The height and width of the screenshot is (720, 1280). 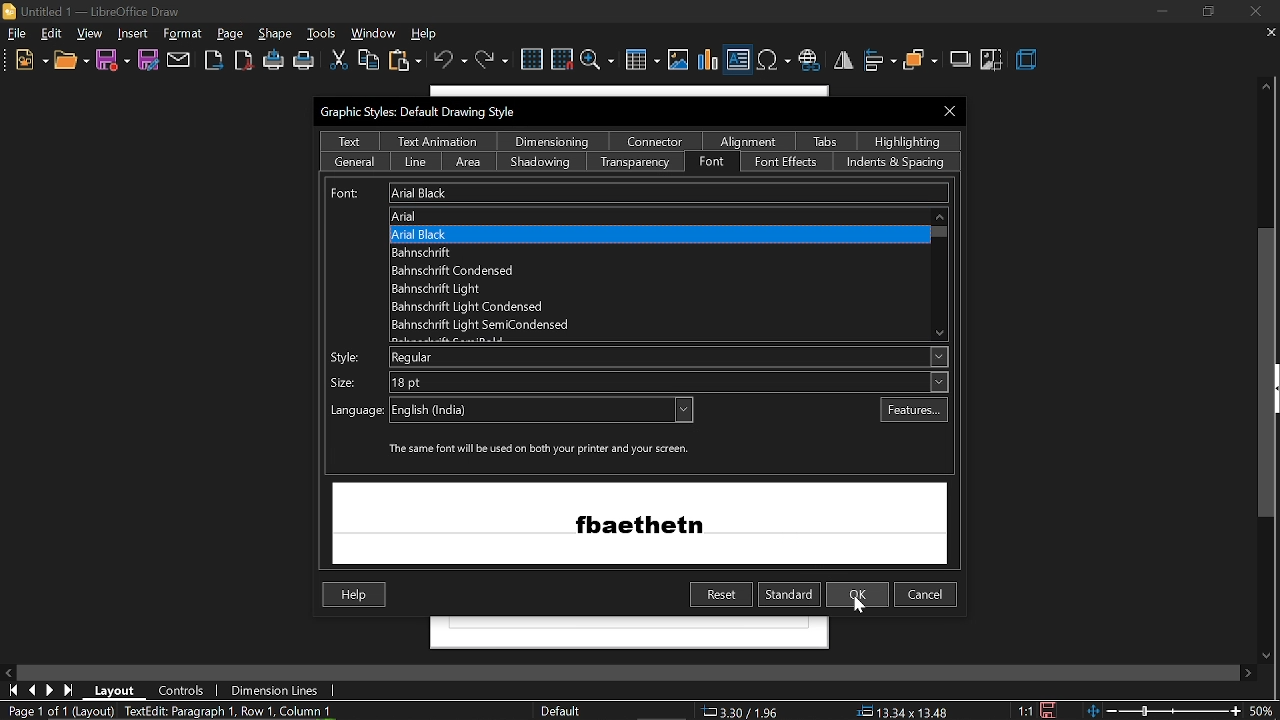 What do you see at coordinates (338, 62) in the screenshot?
I see `cut ` at bounding box center [338, 62].